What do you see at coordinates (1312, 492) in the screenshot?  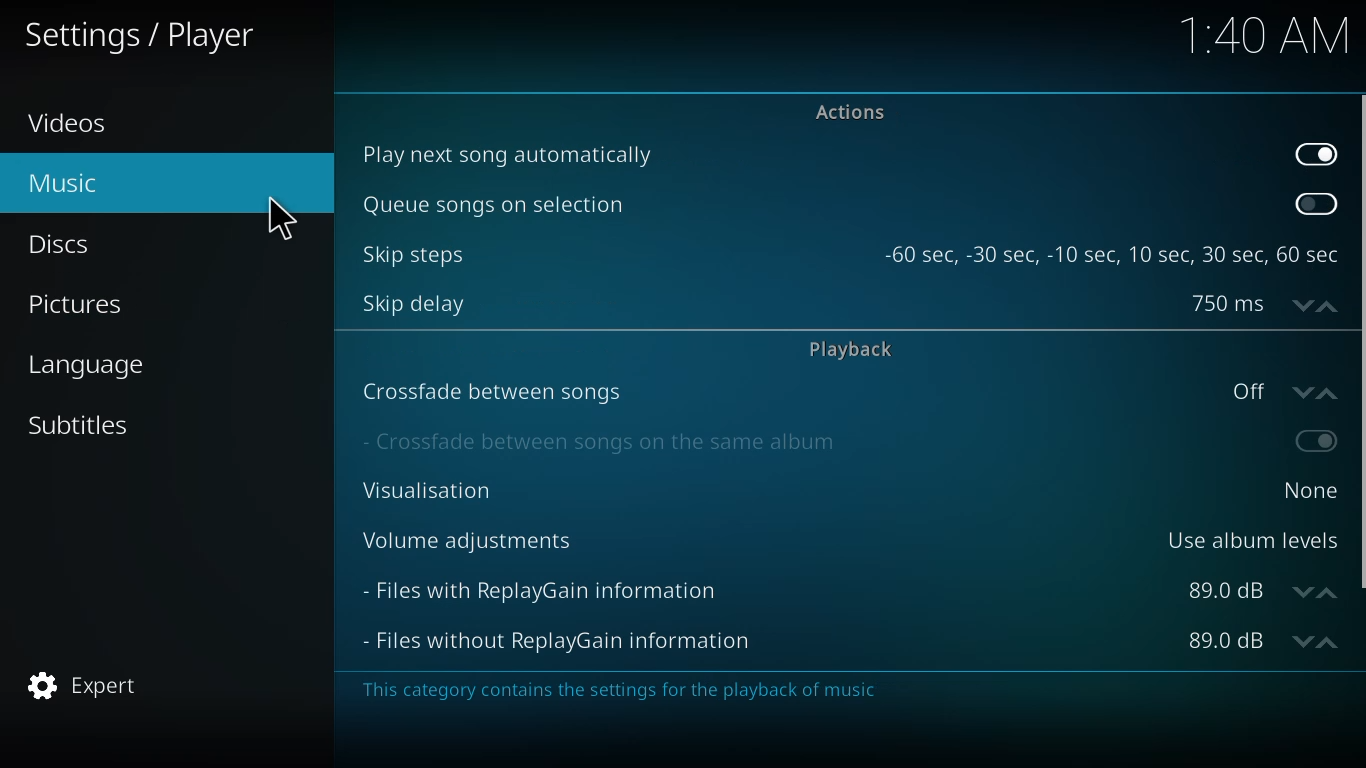 I see `none` at bounding box center [1312, 492].